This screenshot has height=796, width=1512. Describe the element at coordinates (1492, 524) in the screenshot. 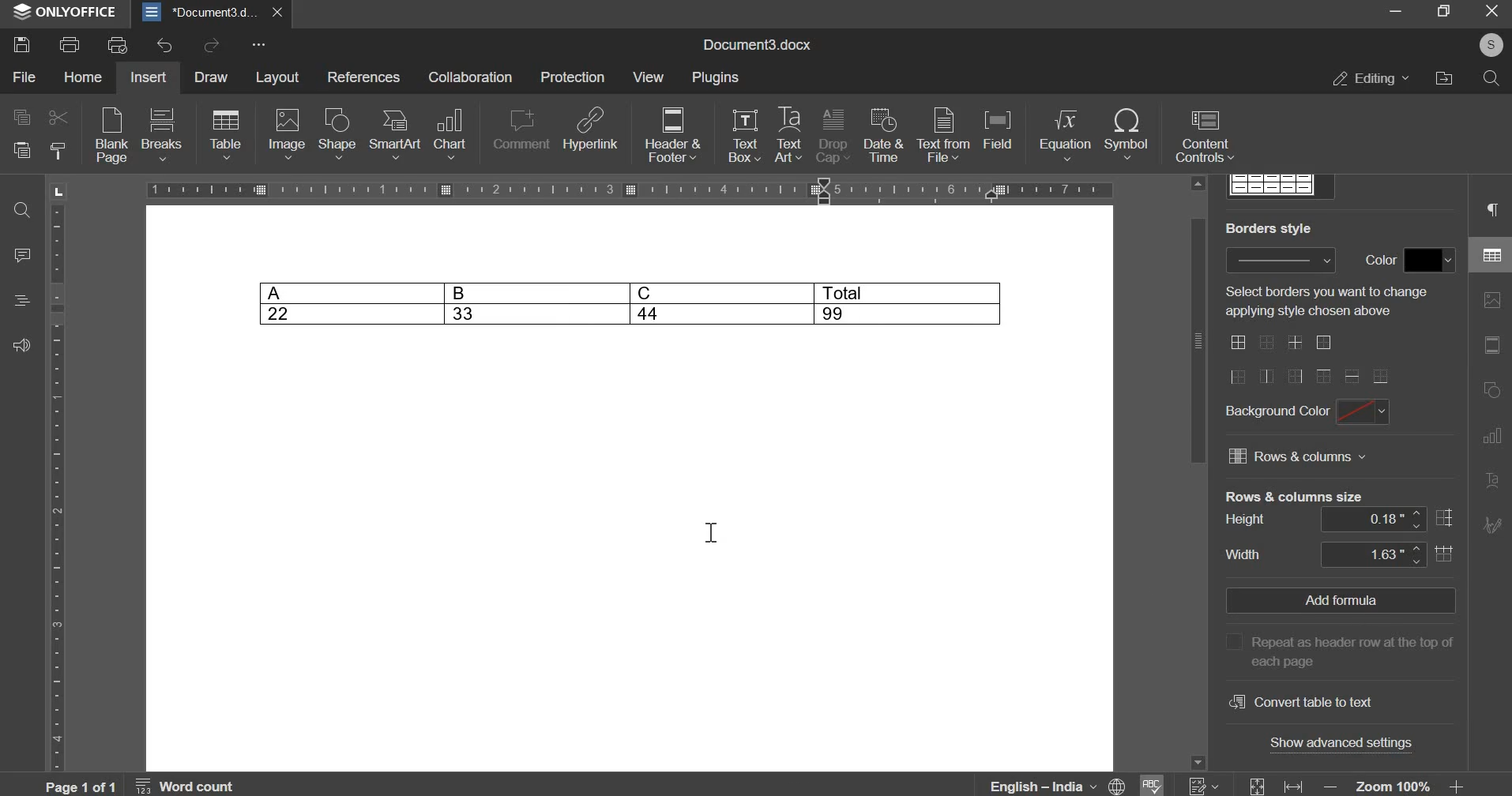

I see `signature settings` at that location.